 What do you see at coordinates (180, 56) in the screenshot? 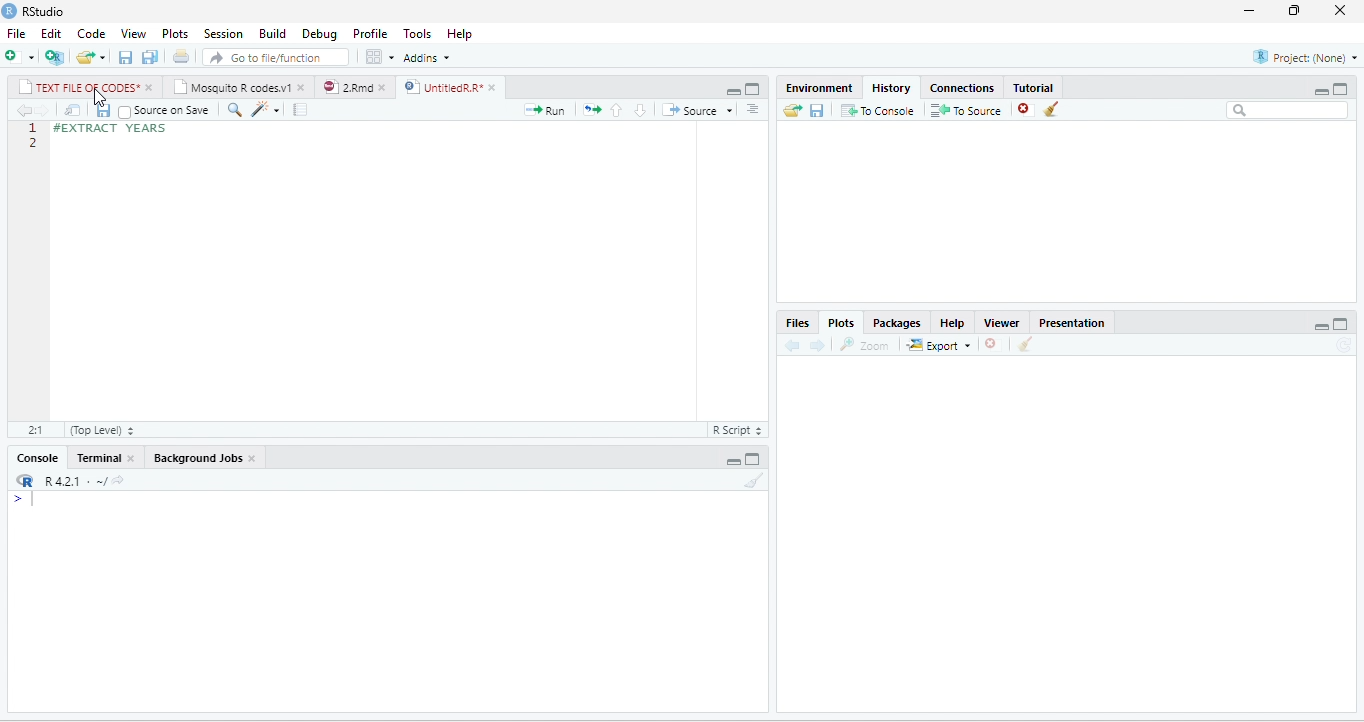
I see `print` at bounding box center [180, 56].